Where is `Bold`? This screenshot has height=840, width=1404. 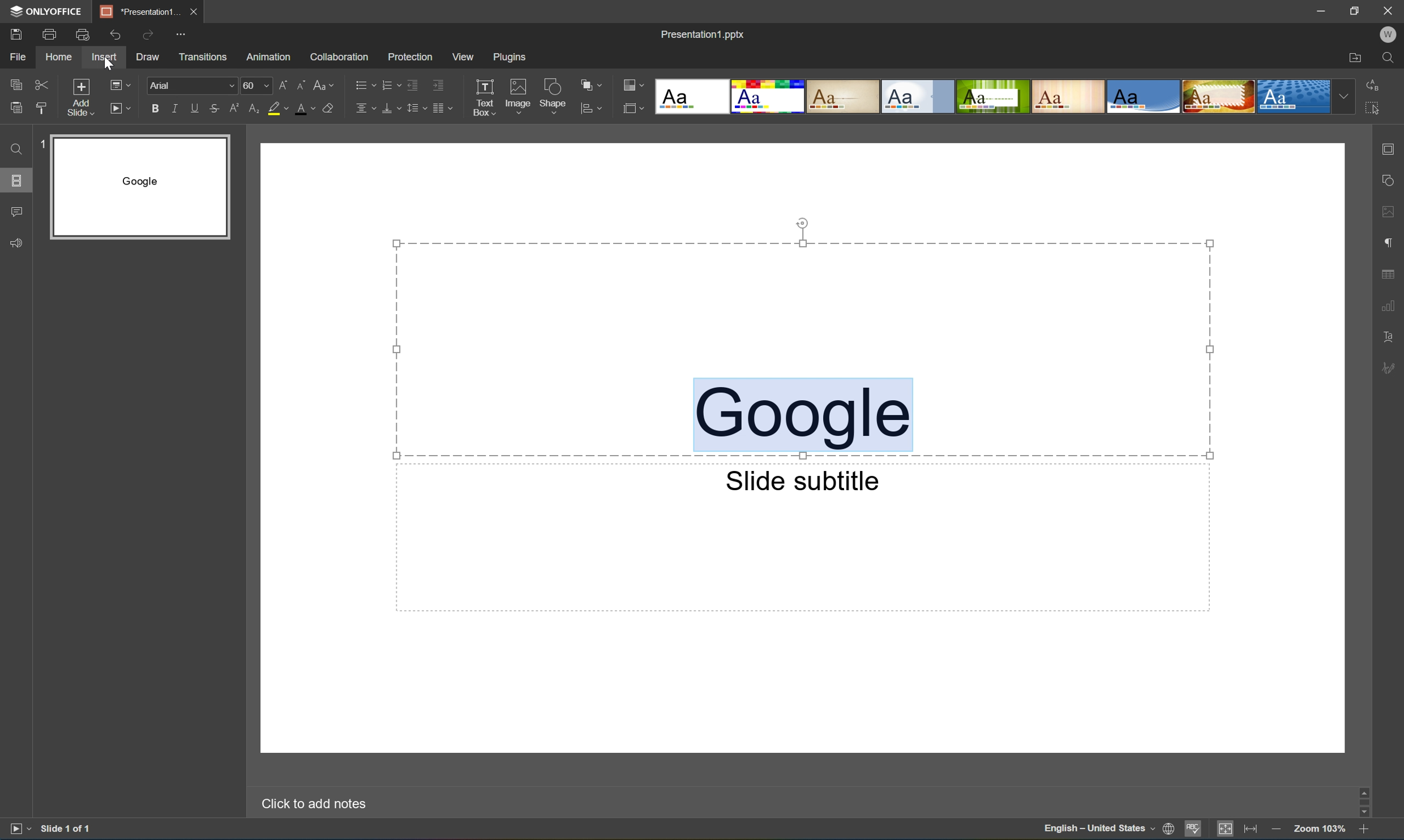
Bold is located at coordinates (158, 109).